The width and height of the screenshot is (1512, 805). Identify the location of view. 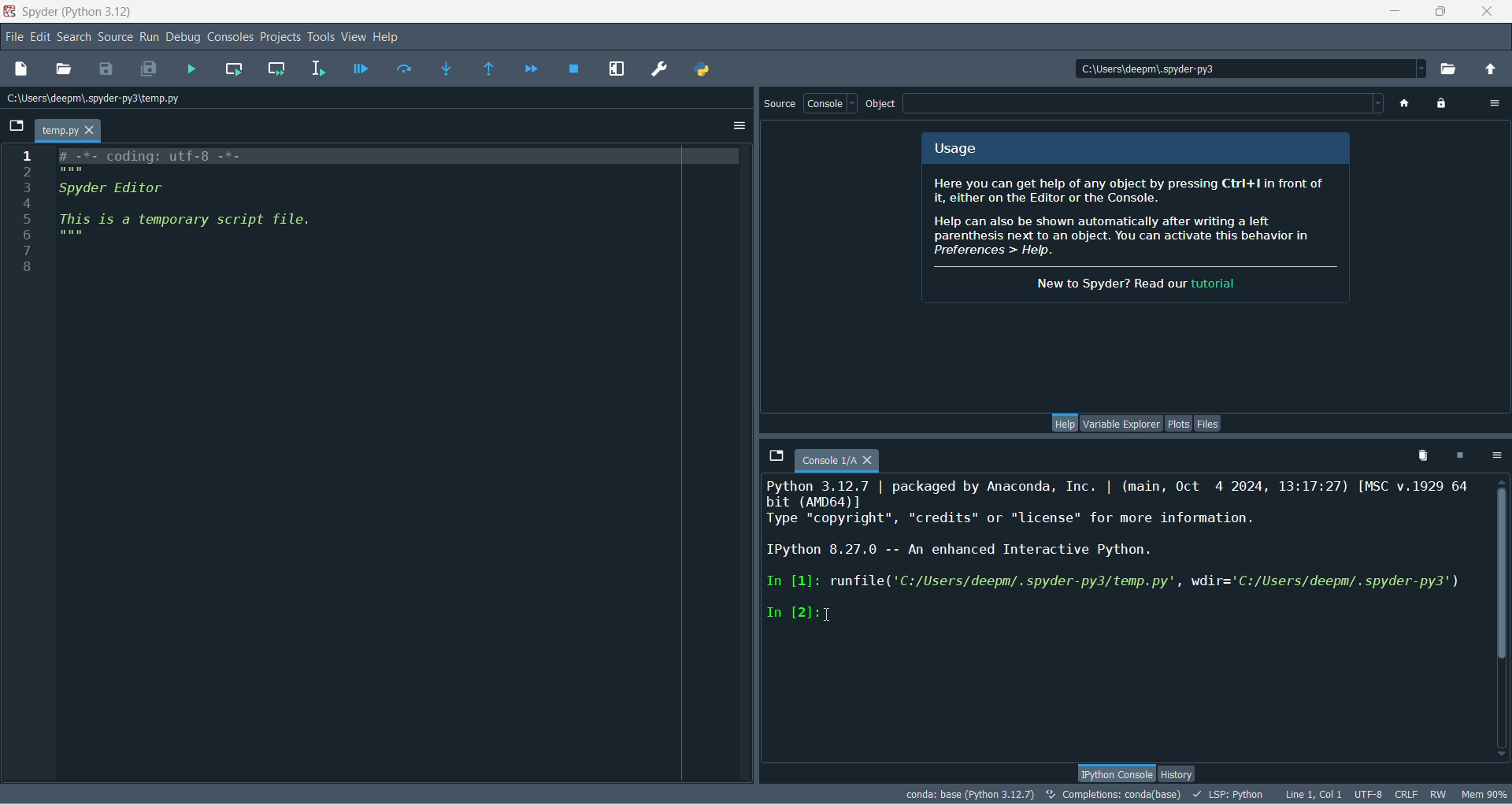
(356, 37).